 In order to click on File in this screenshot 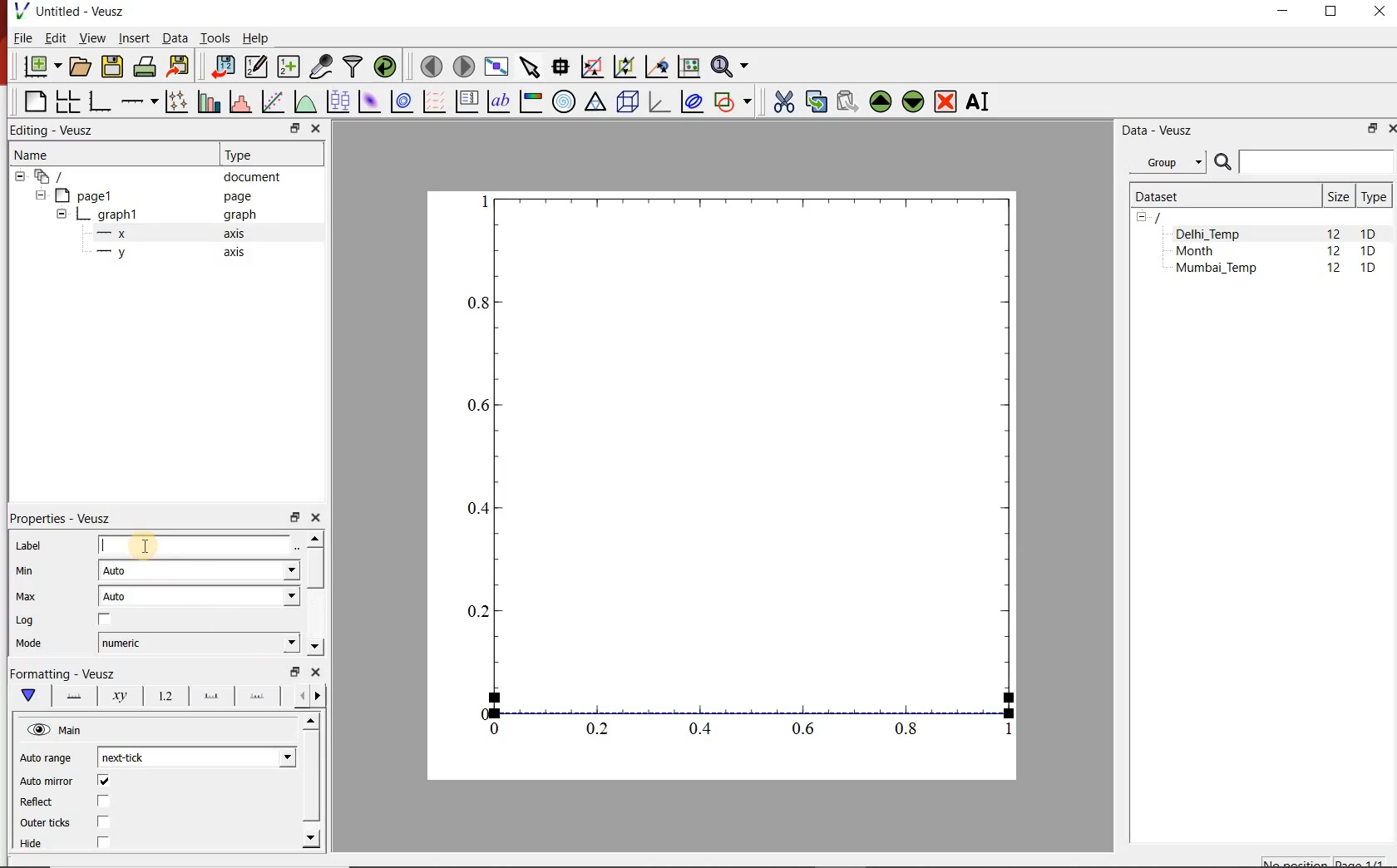, I will do `click(22, 37)`.